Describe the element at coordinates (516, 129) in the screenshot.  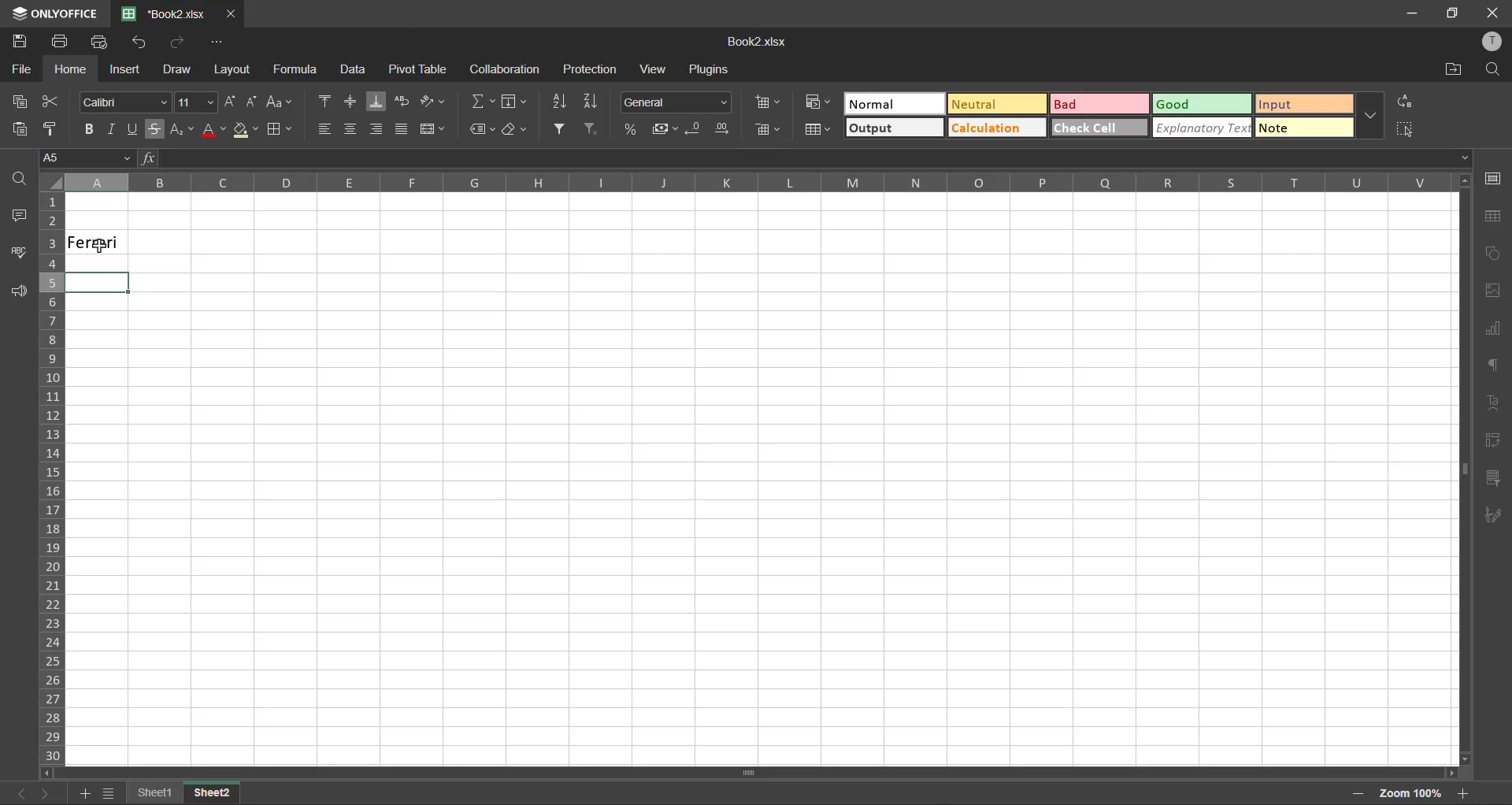
I see `clear` at that location.